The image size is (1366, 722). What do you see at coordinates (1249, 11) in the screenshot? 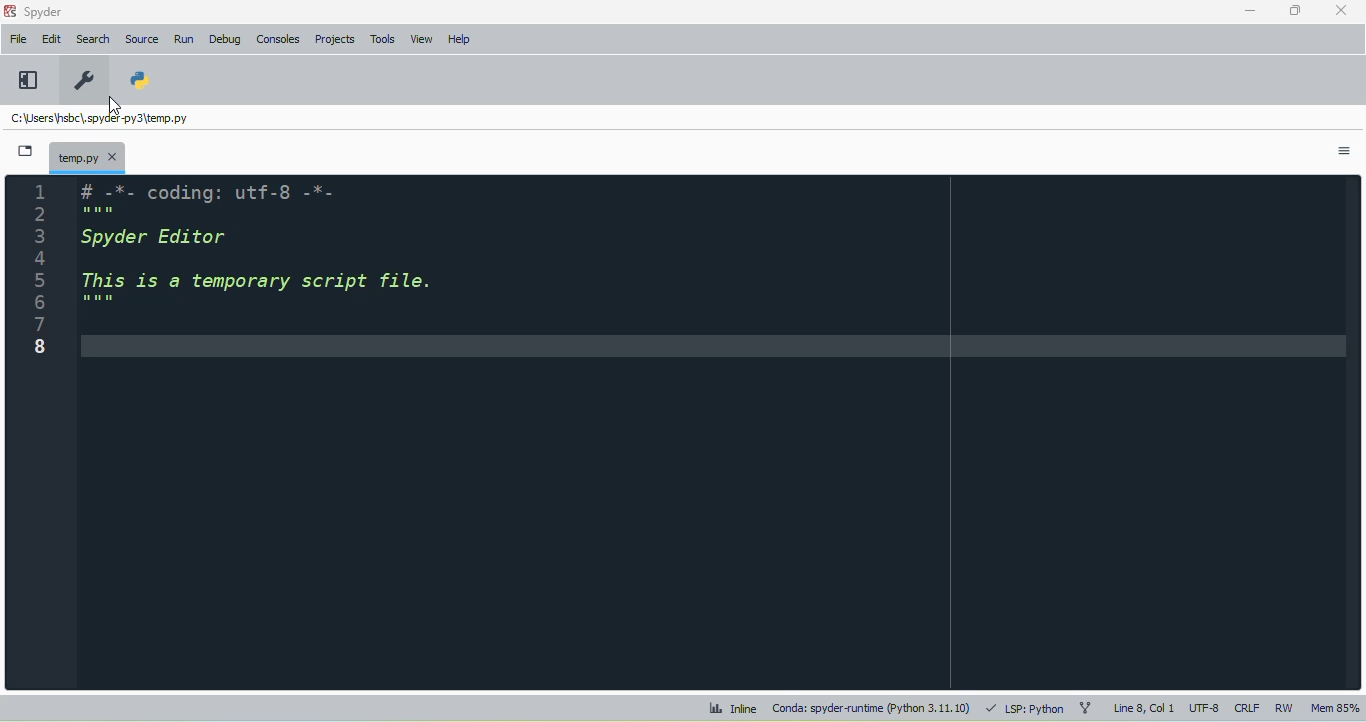
I see `minimize` at bounding box center [1249, 11].